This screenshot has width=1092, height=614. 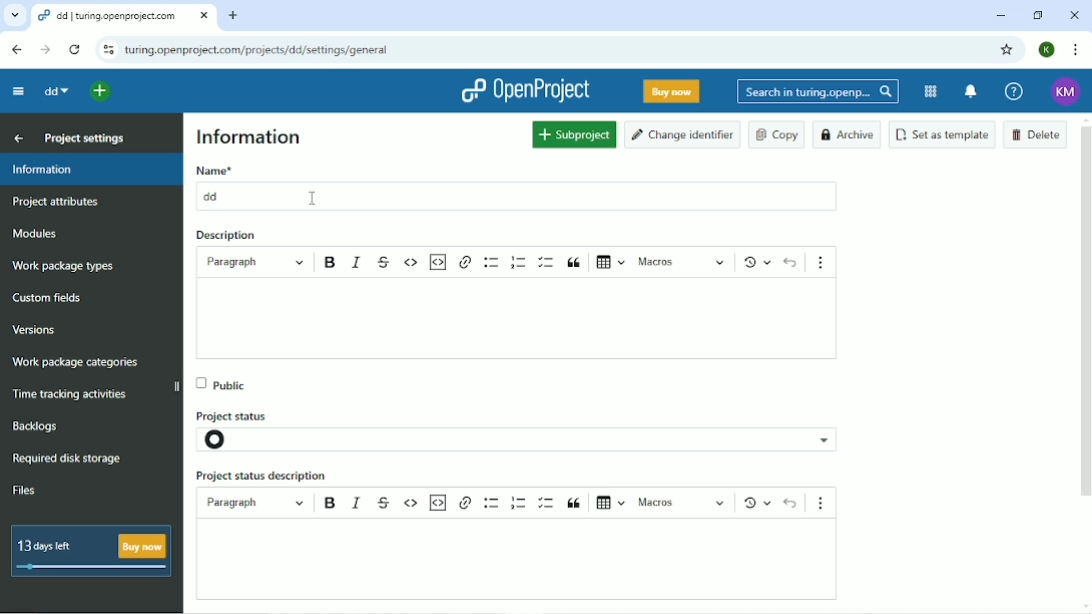 What do you see at coordinates (575, 263) in the screenshot?
I see `Block quote` at bounding box center [575, 263].